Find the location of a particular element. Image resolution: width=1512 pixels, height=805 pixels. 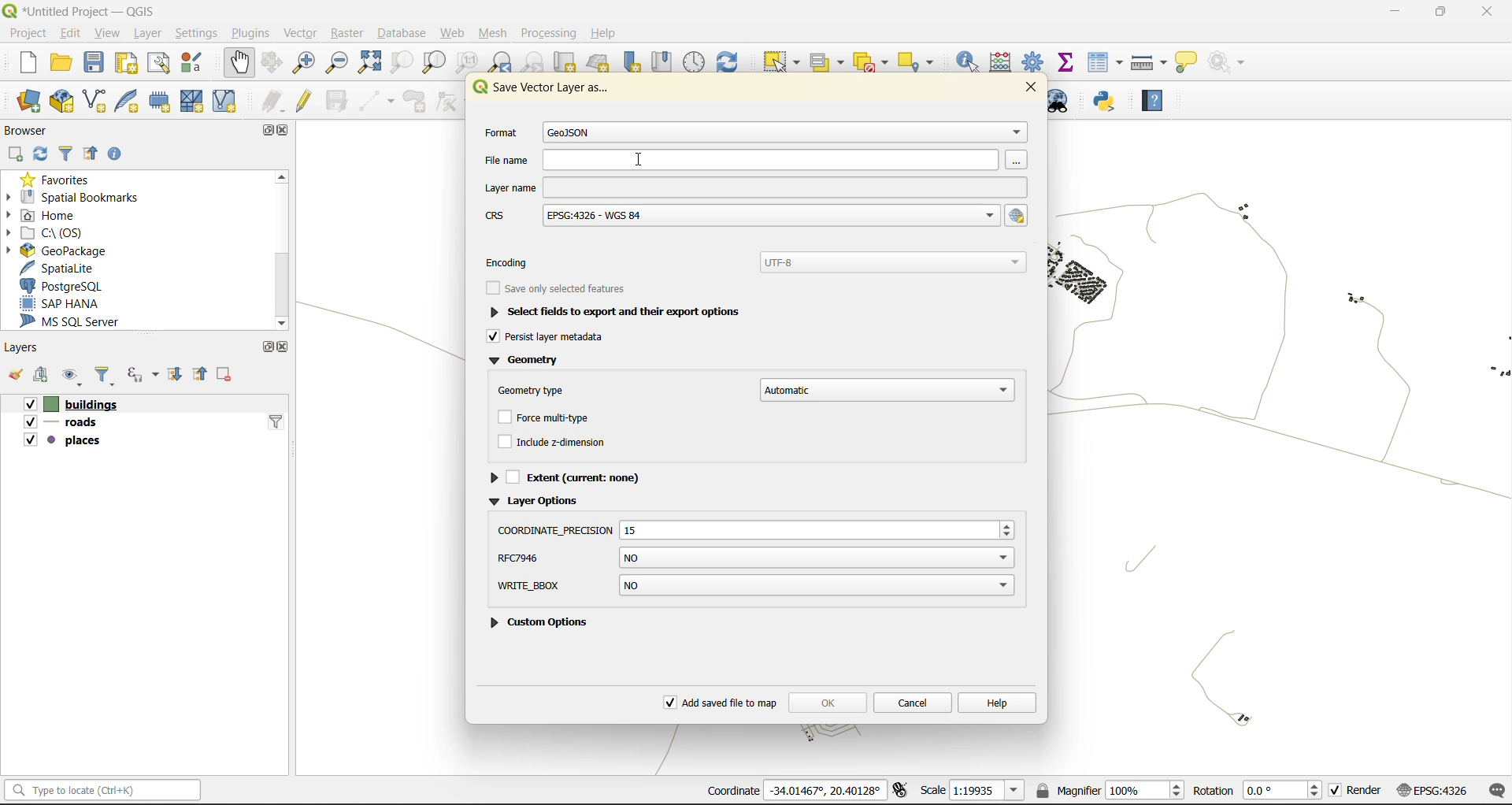

postgresql is located at coordinates (66, 286).